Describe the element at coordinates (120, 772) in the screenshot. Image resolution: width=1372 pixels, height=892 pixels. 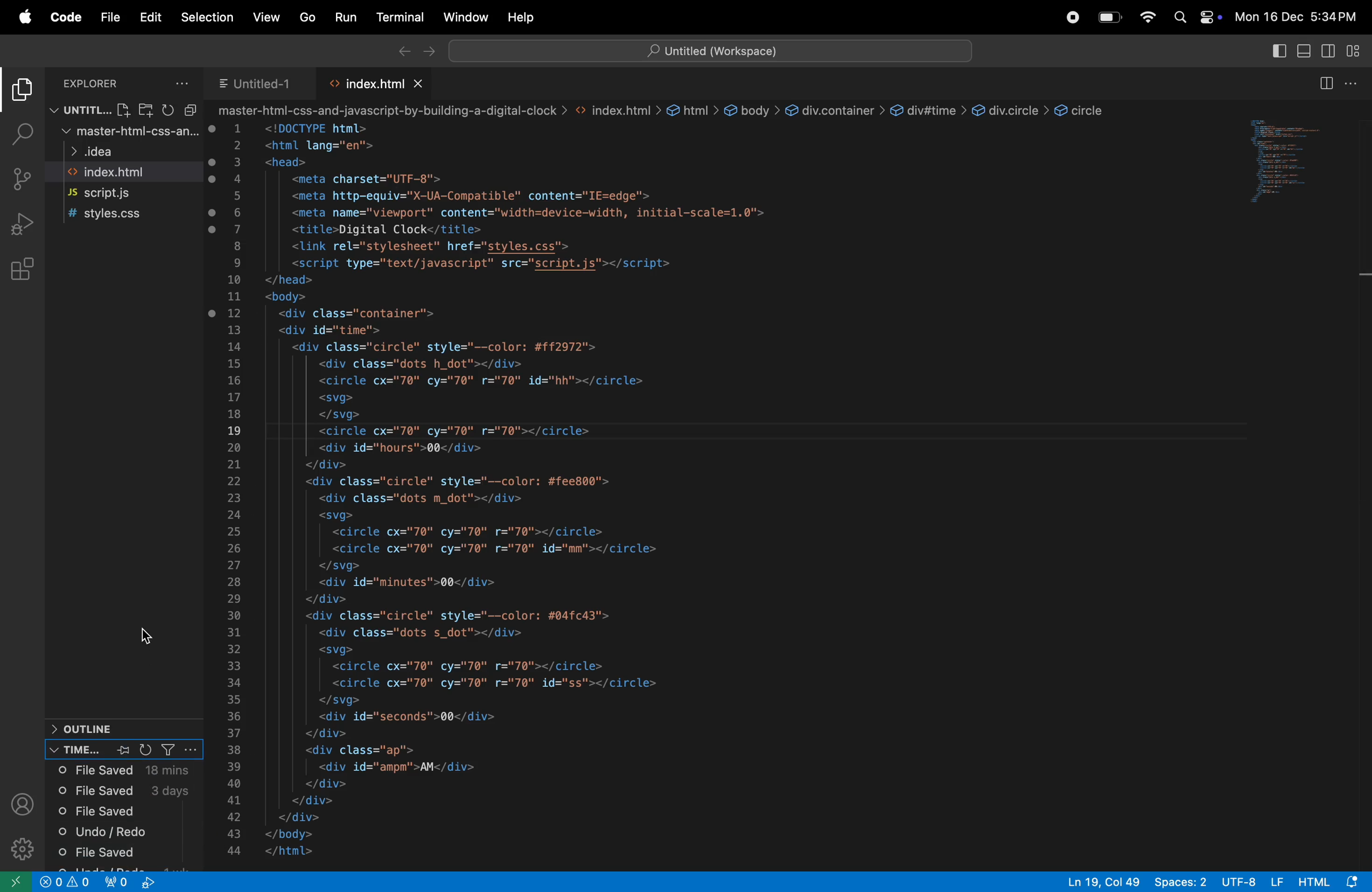
I see `file saved 18 min ago` at that location.